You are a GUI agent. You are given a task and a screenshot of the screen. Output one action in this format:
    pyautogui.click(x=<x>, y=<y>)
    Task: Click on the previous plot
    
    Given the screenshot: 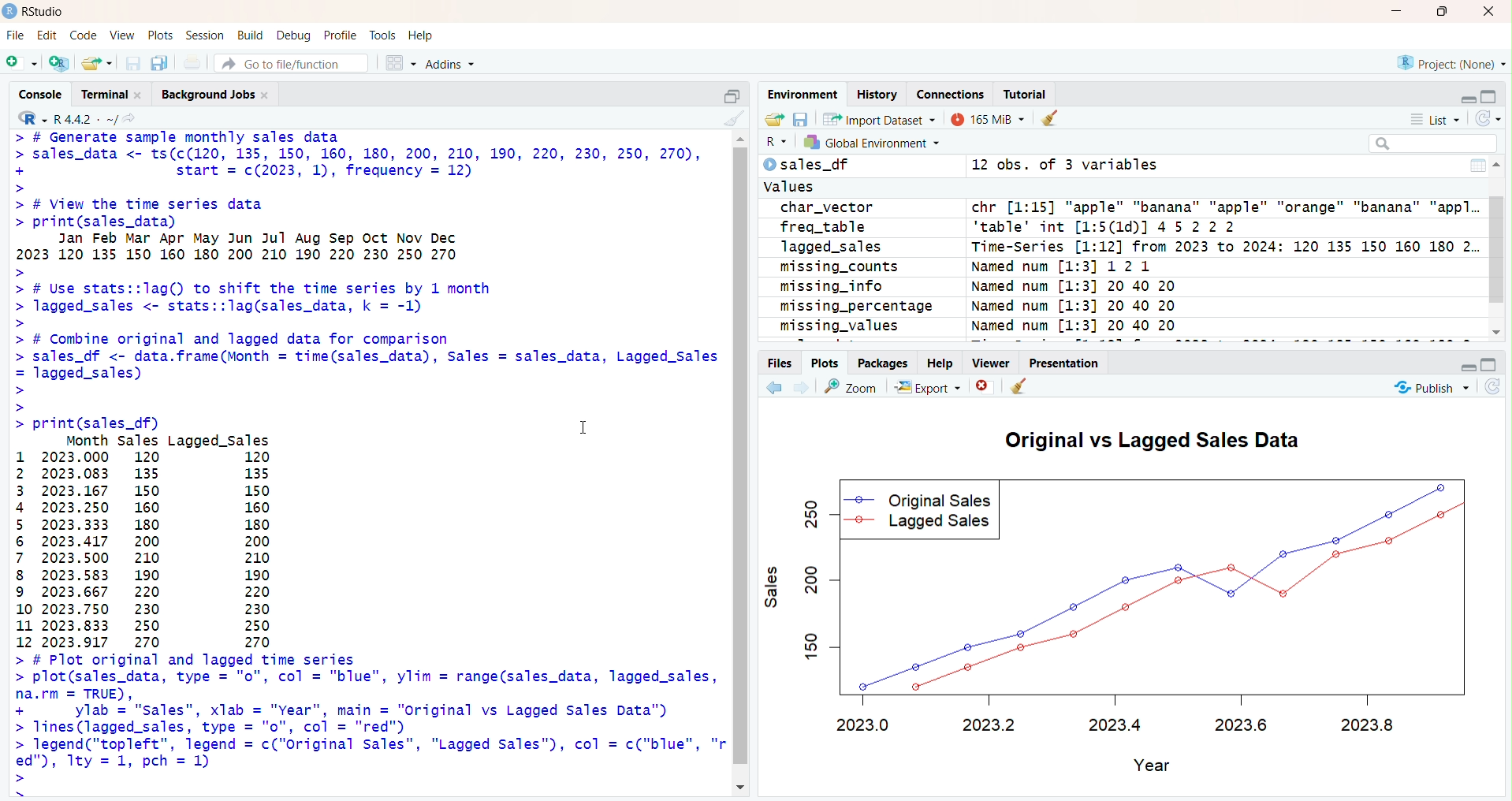 What is the action you would take?
    pyautogui.click(x=776, y=387)
    